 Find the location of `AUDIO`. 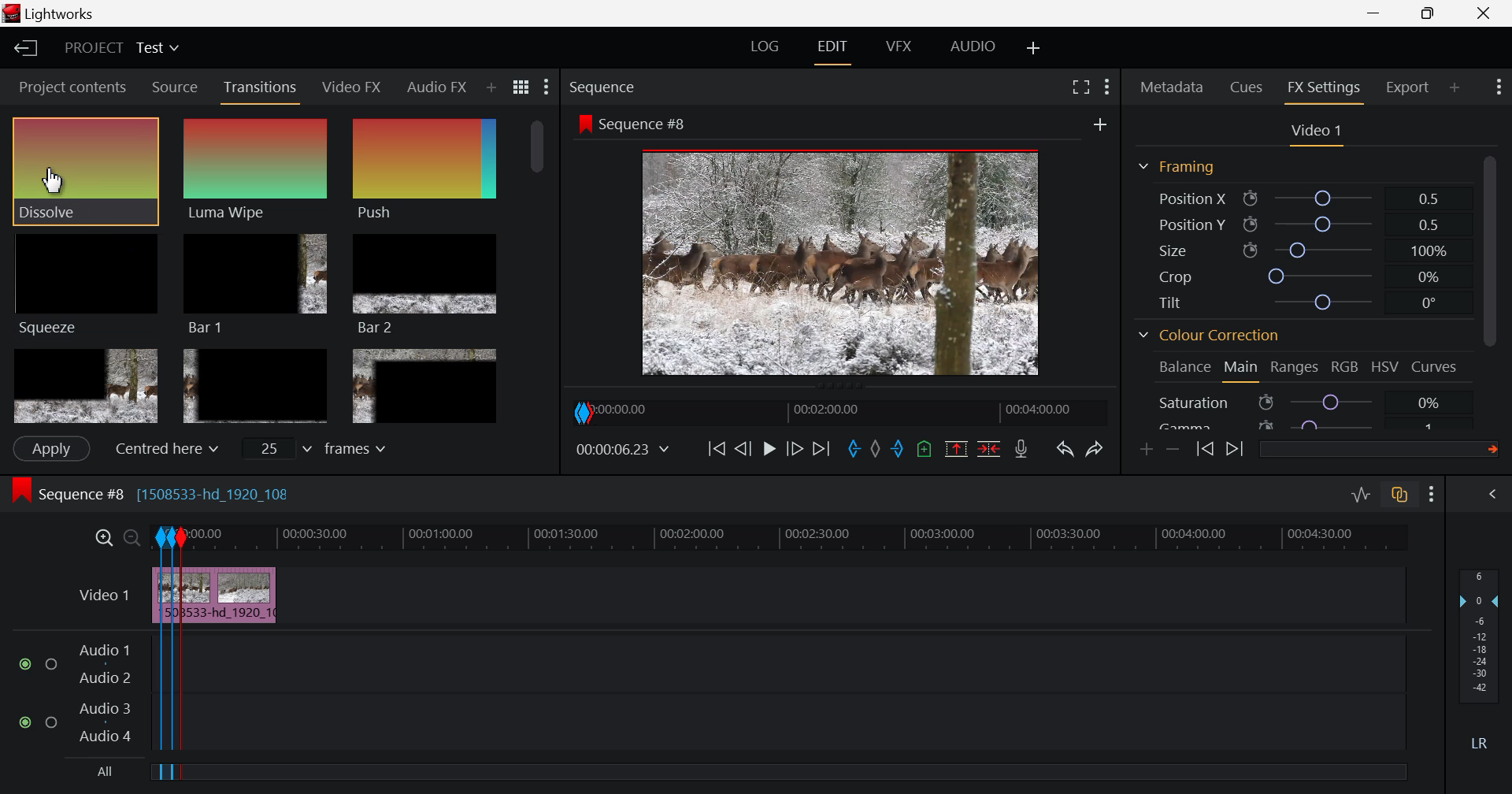

AUDIO is located at coordinates (974, 46).